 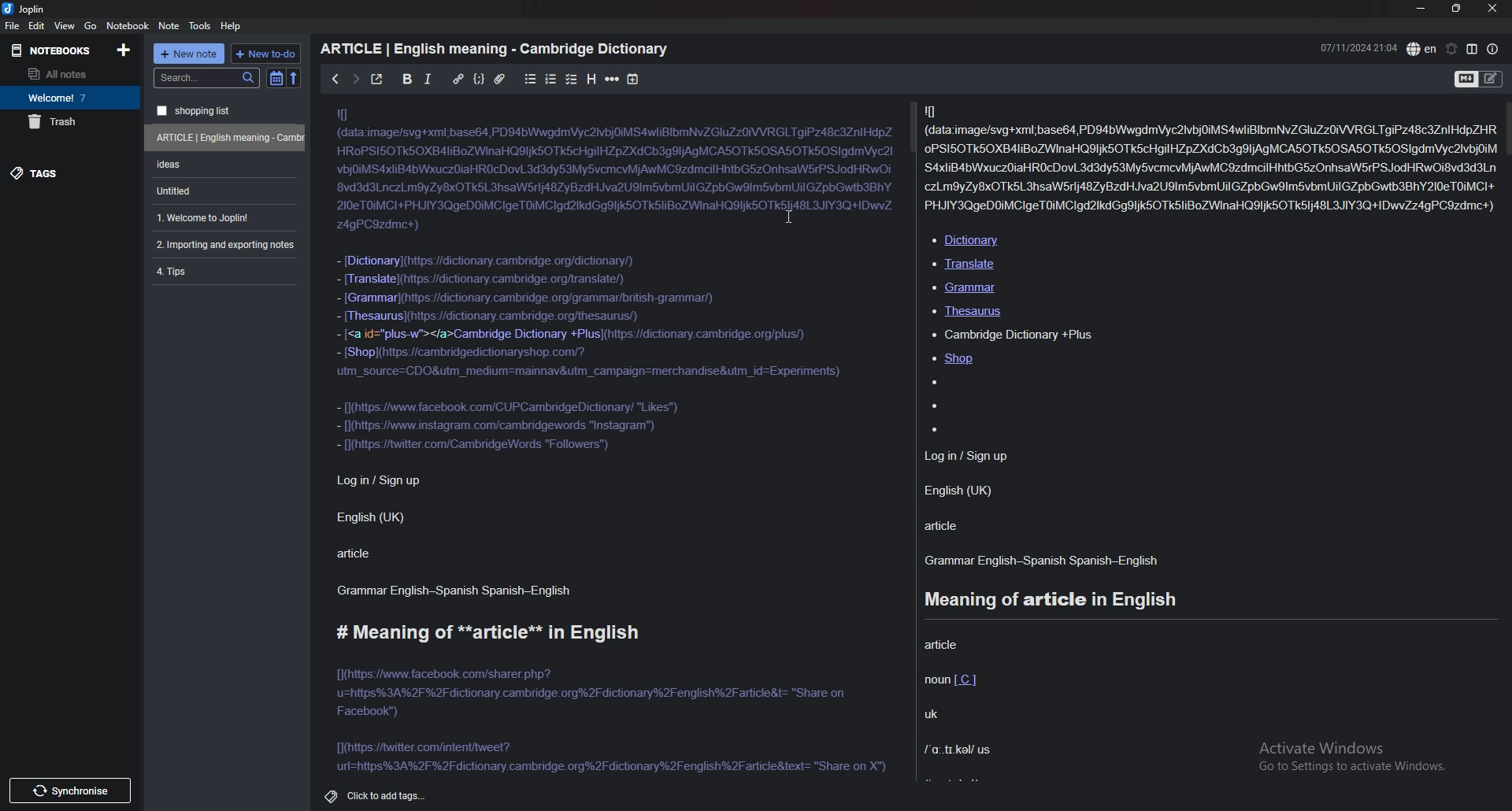 What do you see at coordinates (1479, 80) in the screenshot?
I see `toggle editor` at bounding box center [1479, 80].